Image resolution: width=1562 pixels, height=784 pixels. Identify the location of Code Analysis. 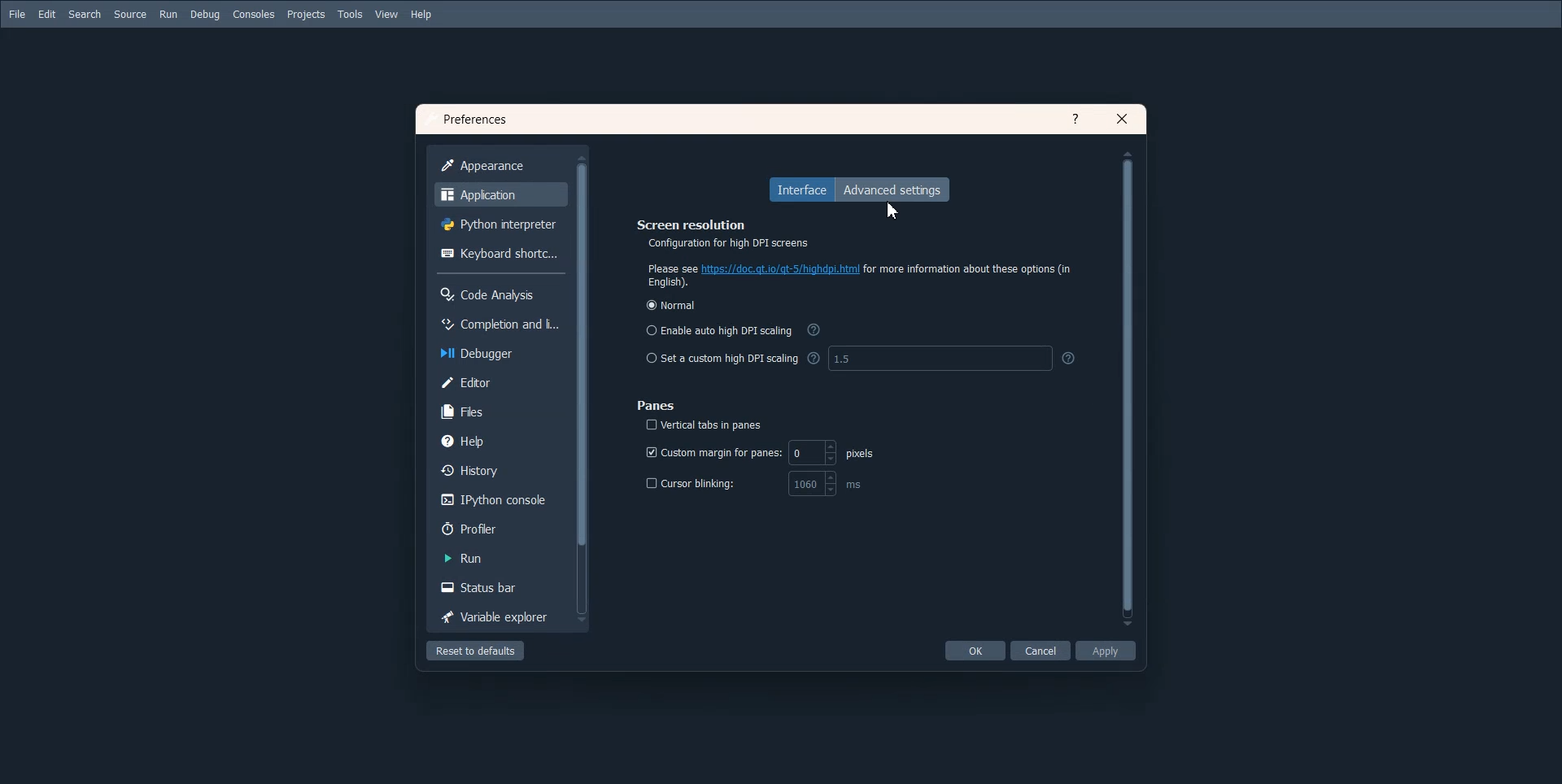
(499, 293).